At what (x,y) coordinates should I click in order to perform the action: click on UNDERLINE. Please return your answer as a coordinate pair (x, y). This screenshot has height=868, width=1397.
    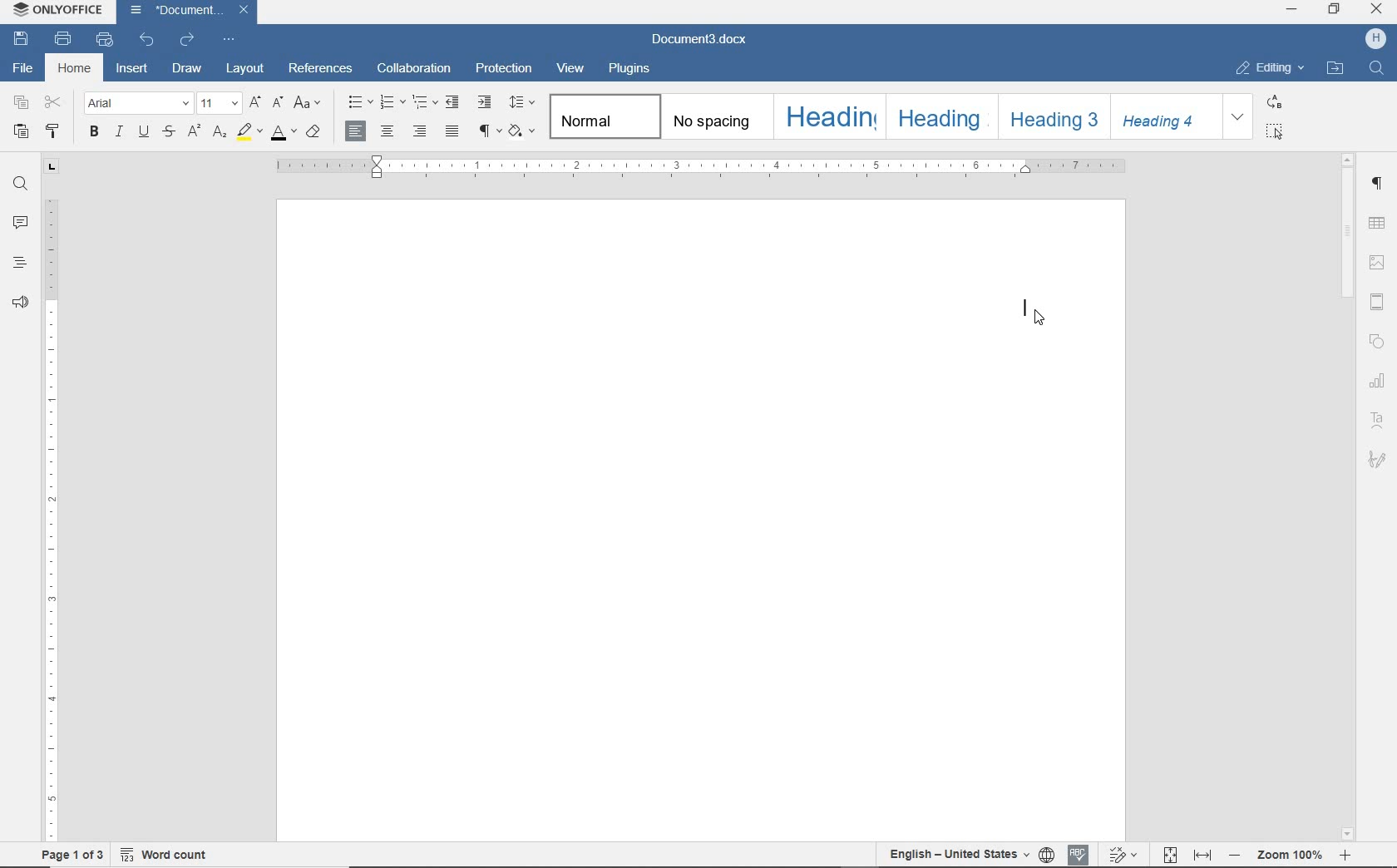
    Looking at the image, I should click on (142, 134).